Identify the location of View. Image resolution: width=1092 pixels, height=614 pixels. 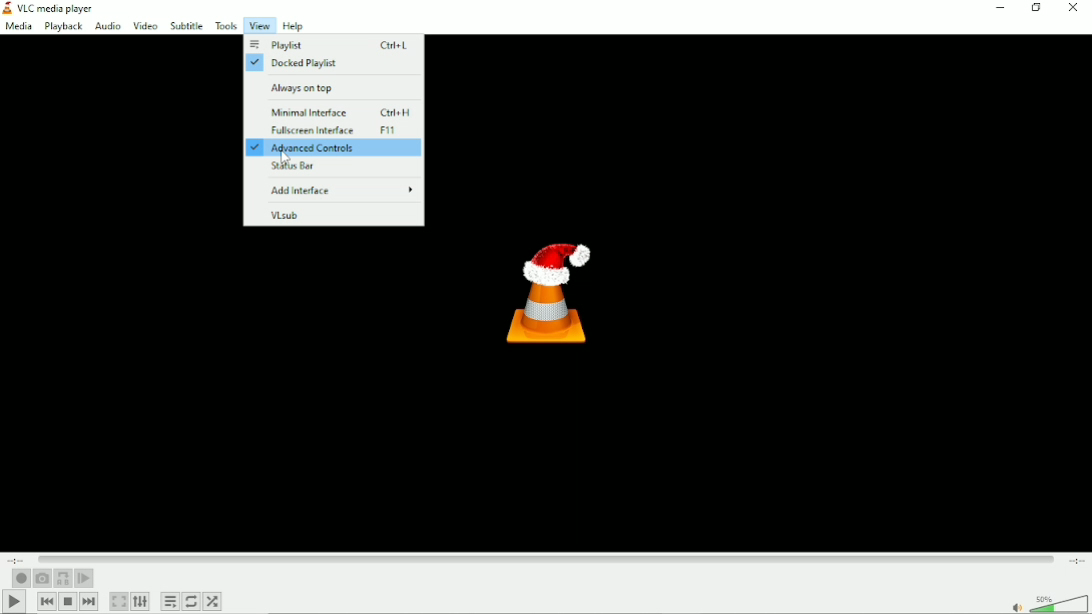
(259, 25).